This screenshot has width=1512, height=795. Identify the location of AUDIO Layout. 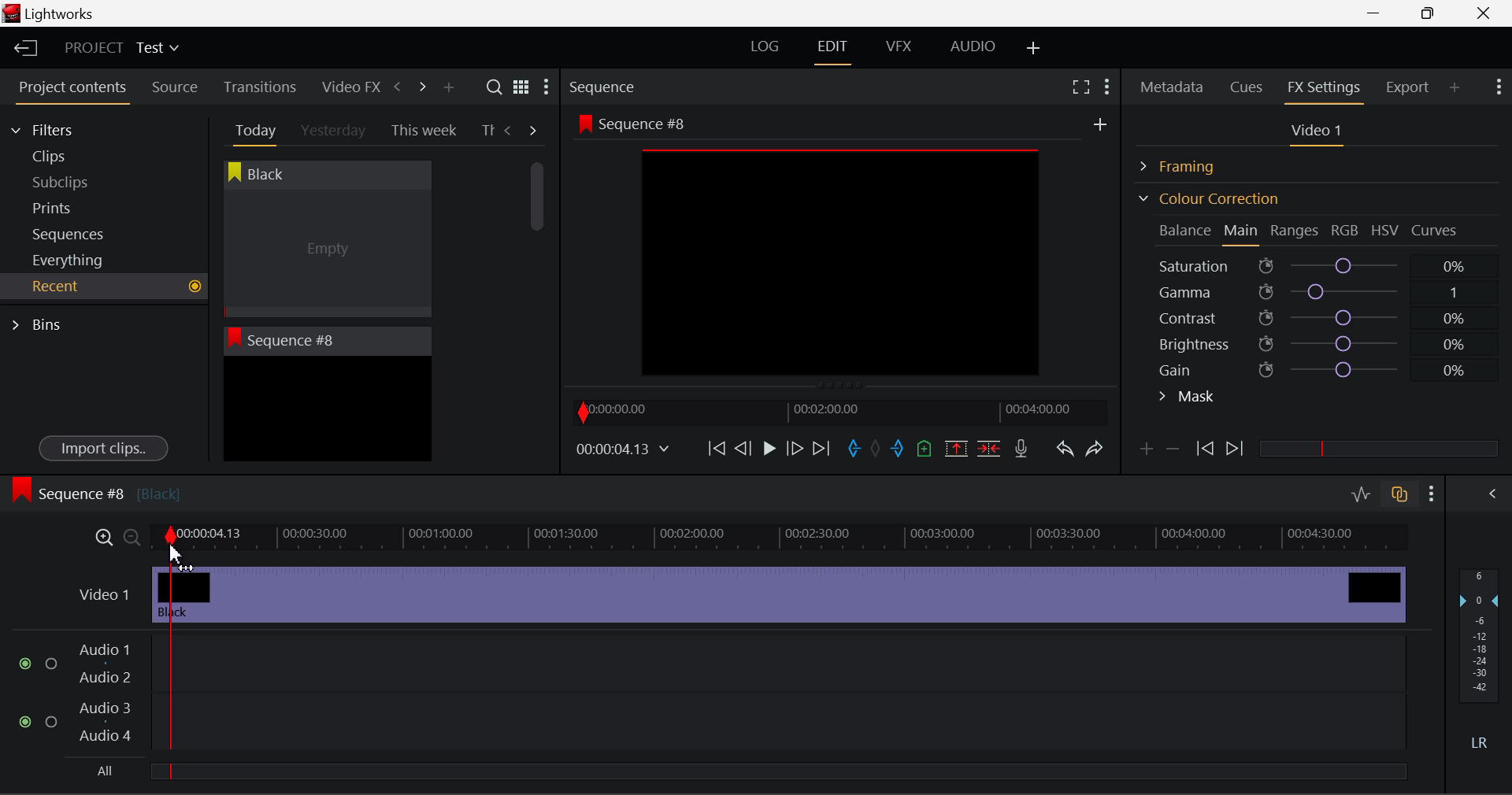
(972, 46).